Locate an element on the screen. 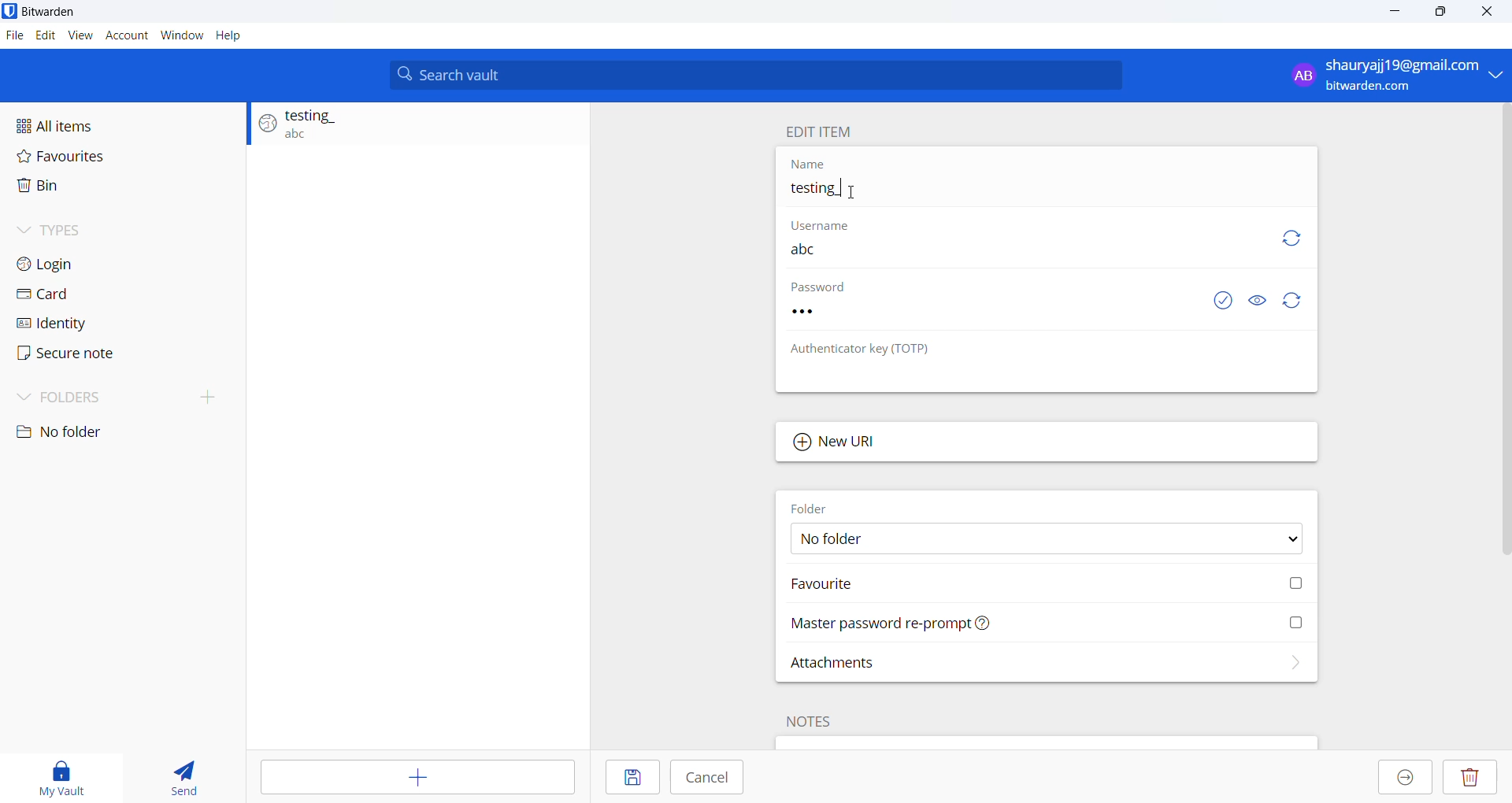  Add new URL is located at coordinates (1047, 445).